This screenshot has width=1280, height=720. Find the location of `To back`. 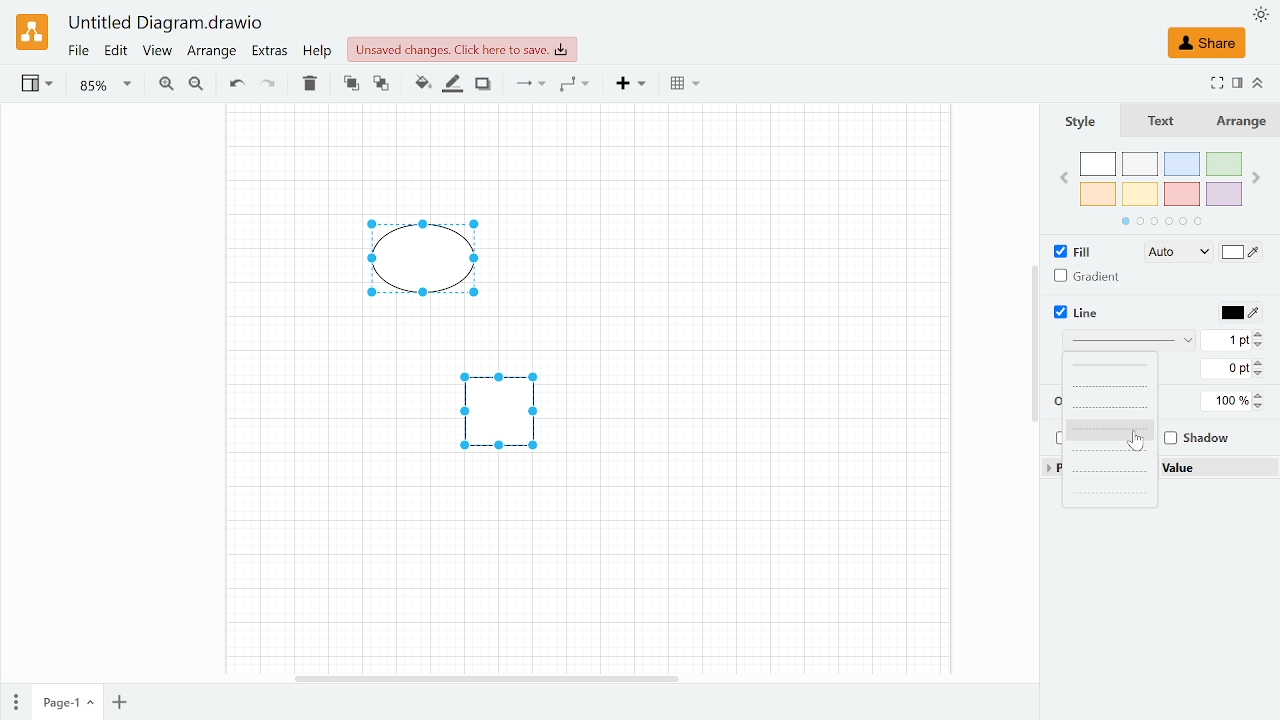

To back is located at coordinates (381, 84).